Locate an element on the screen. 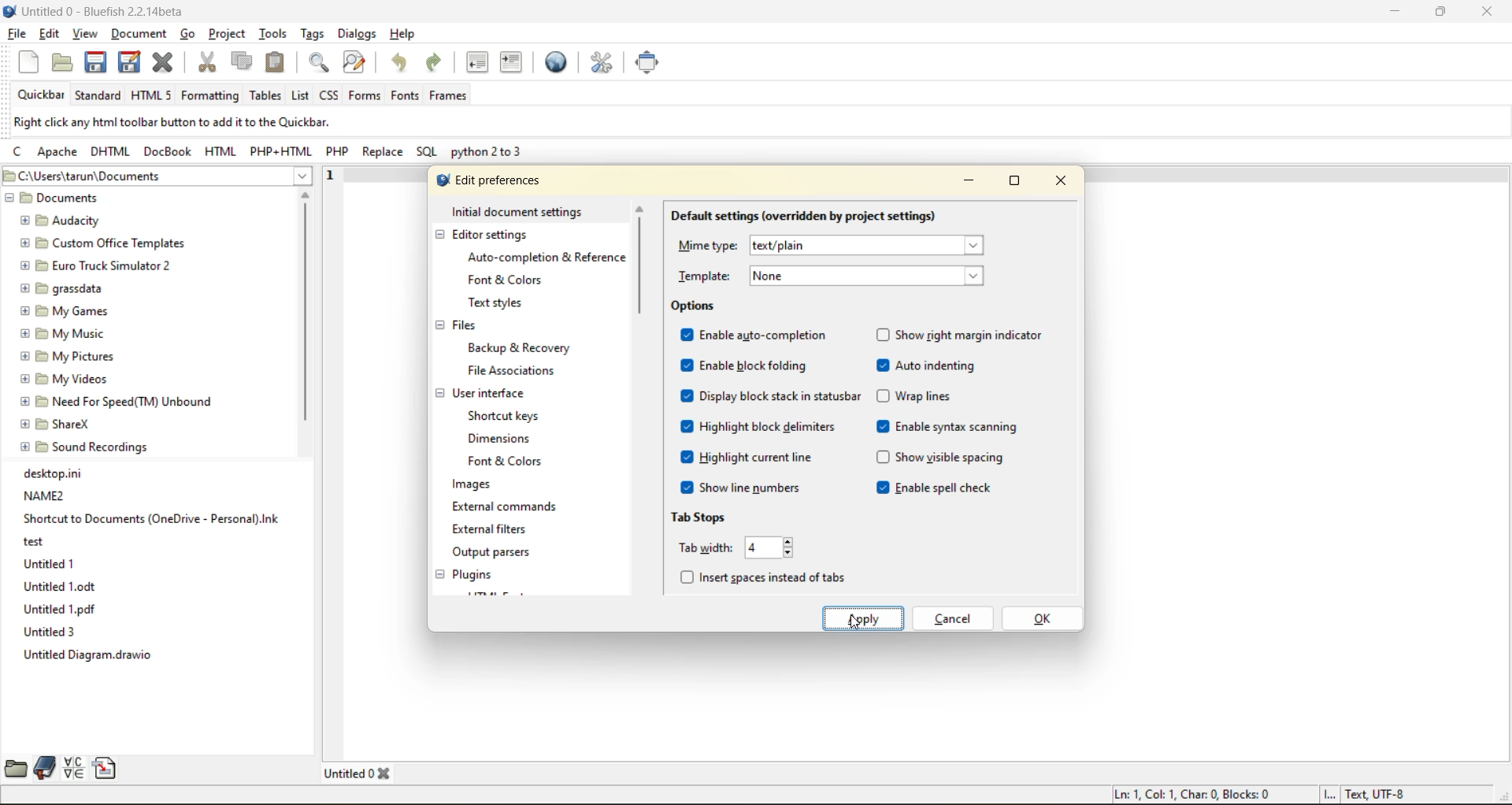  find and replace is located at coordinates (355, 63).